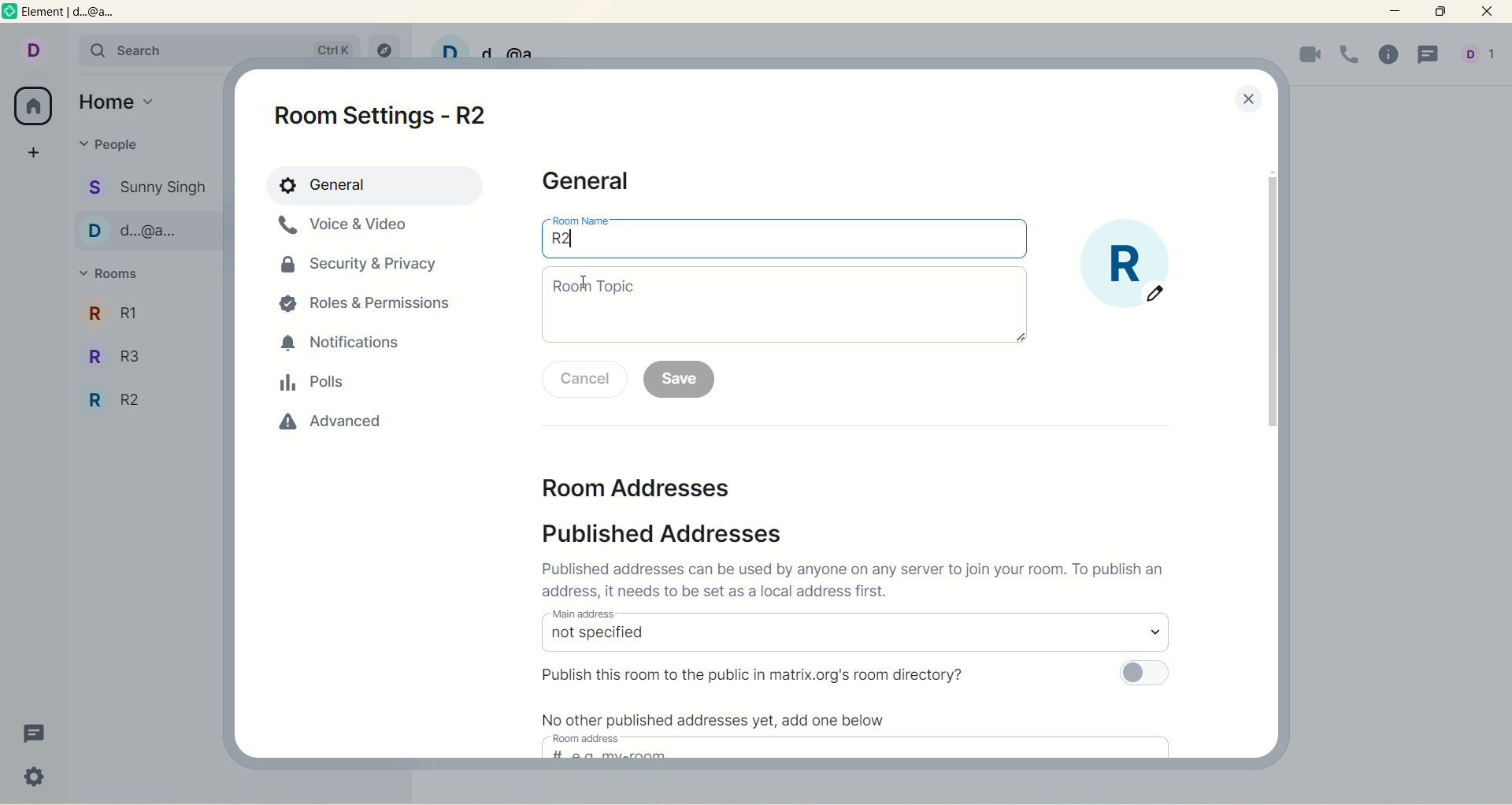  I want to click on roles and permissions, so click(371, 306).